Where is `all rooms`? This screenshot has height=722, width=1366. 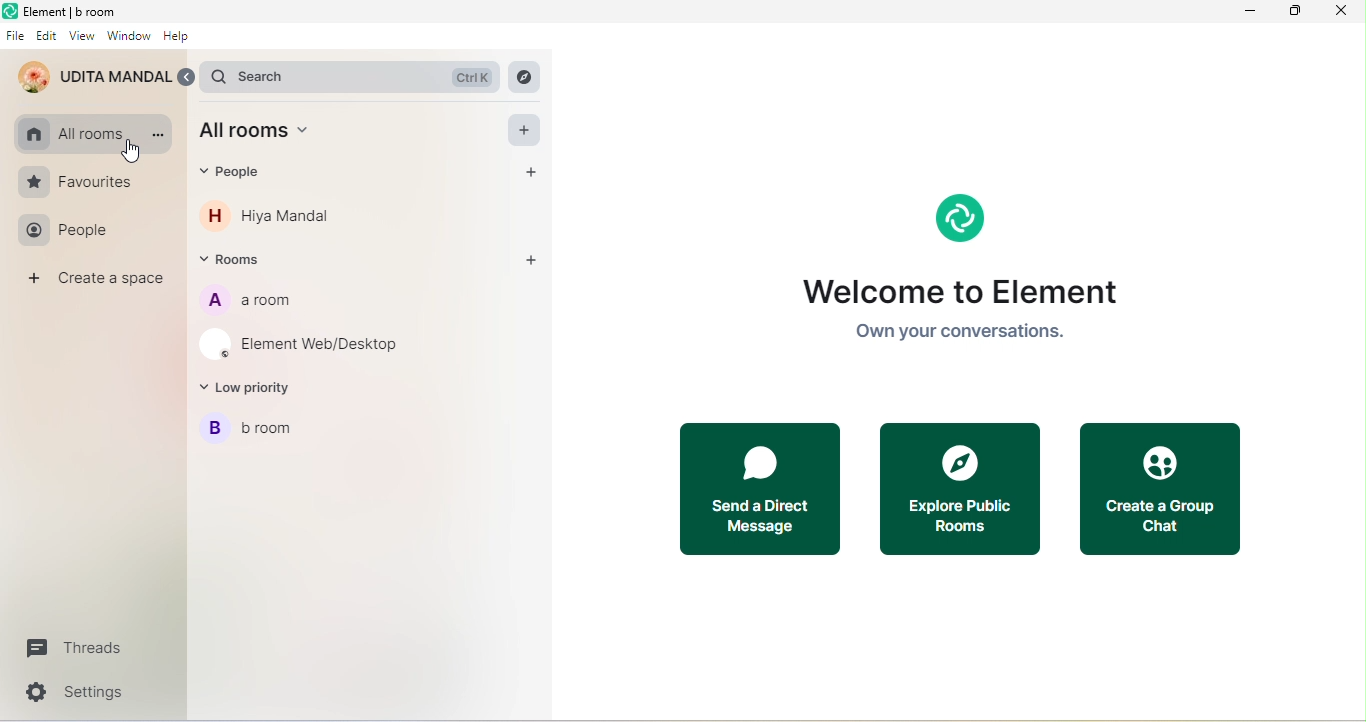
all rooms is located at coordinates (76, 134).